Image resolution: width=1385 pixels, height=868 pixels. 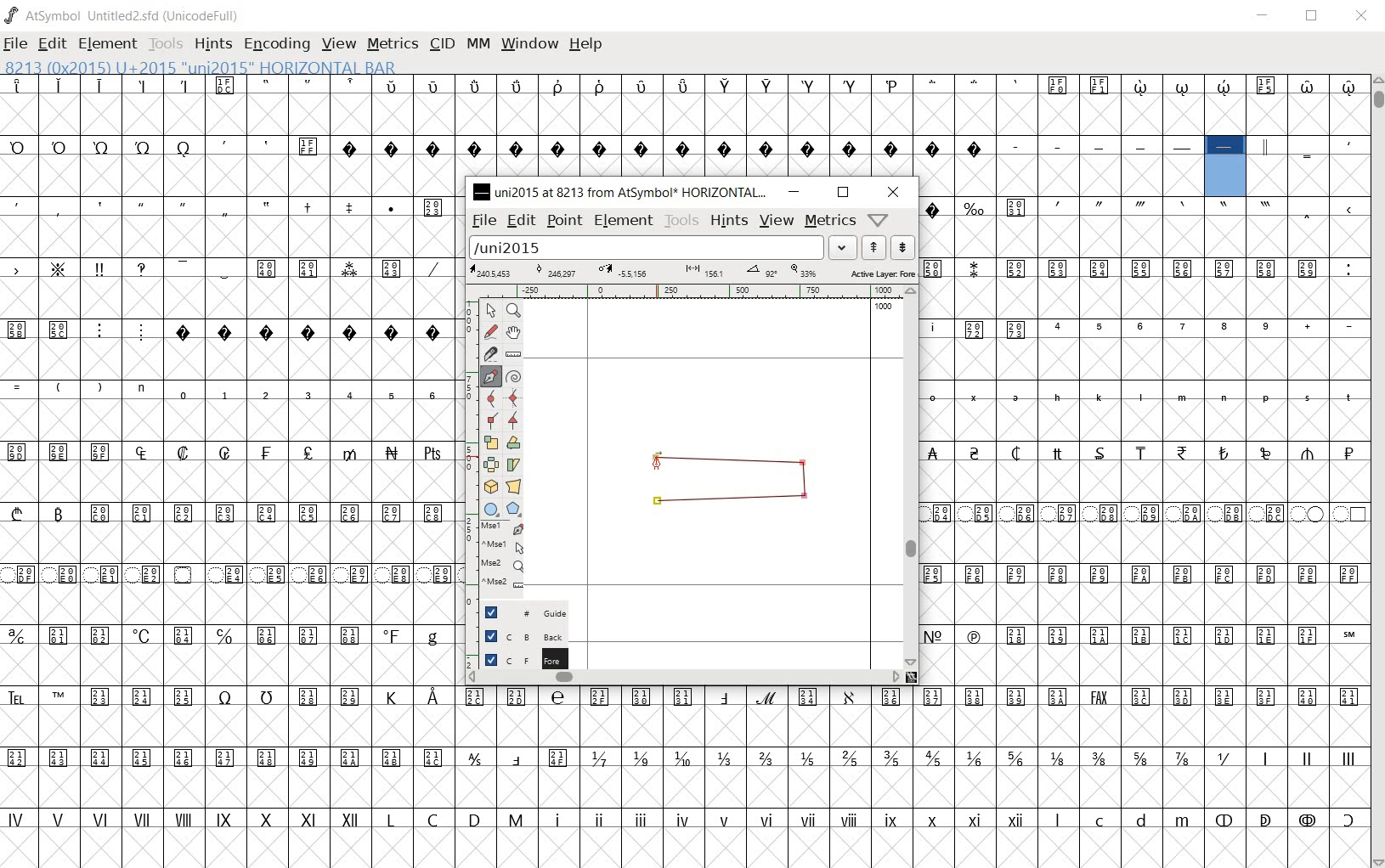 What do you see at coordinates (1265, 16) in the screenshot?
I see `MINIMIZE` at bounding box center [1265, 16].